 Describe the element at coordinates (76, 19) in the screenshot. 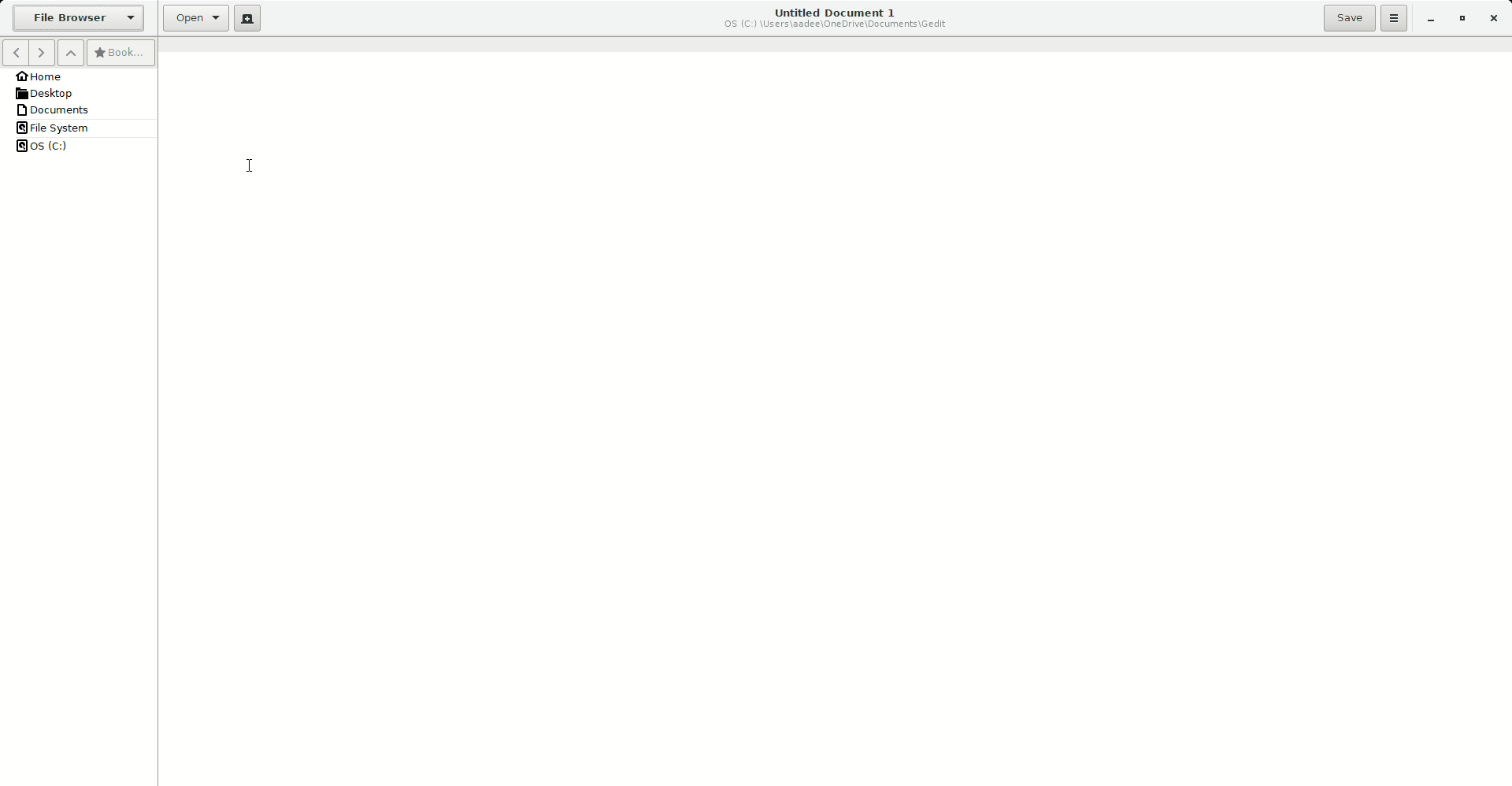

I see `File Browser` at that location.